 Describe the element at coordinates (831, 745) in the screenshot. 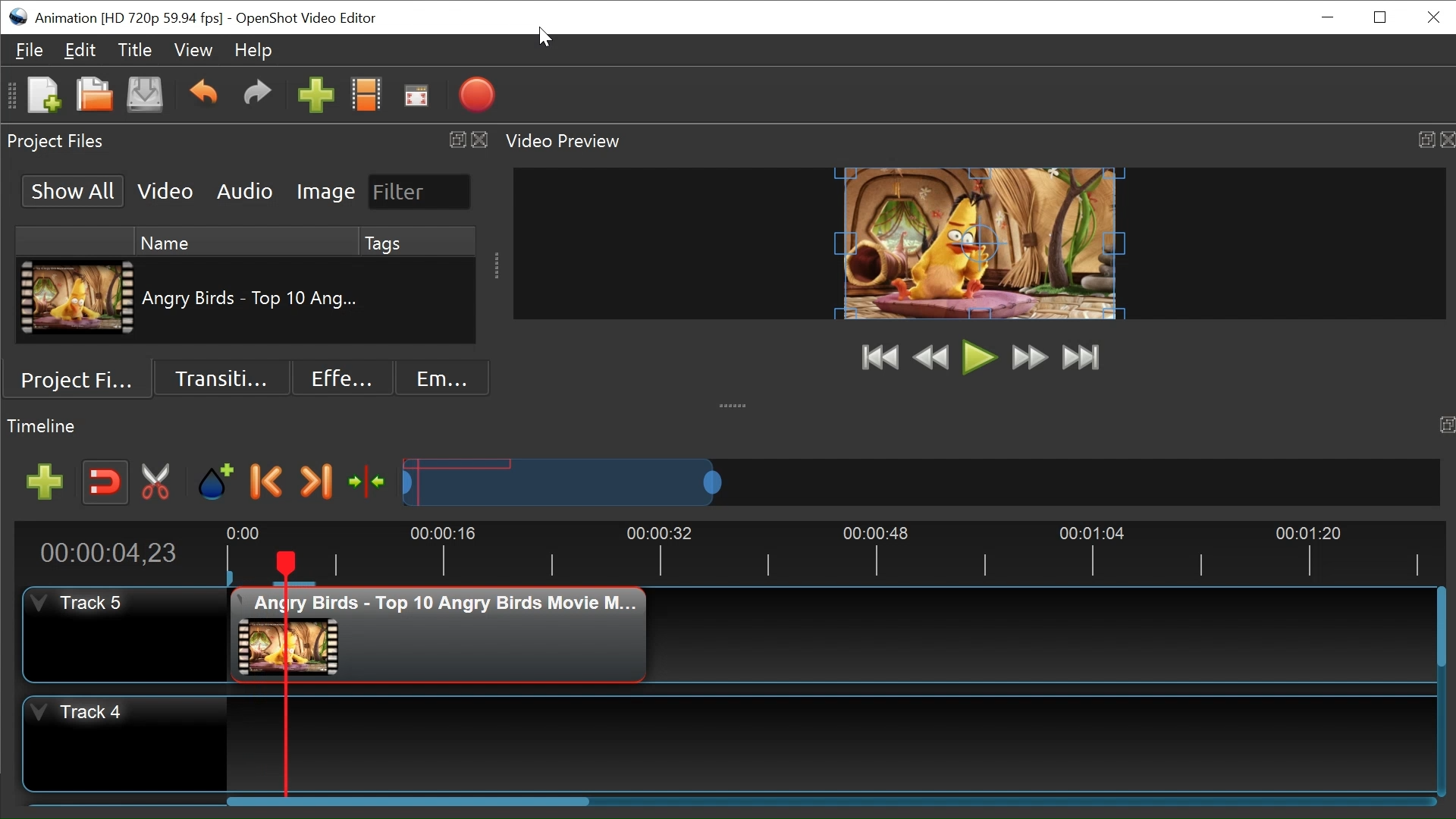

I see `Track Panel` at that location.